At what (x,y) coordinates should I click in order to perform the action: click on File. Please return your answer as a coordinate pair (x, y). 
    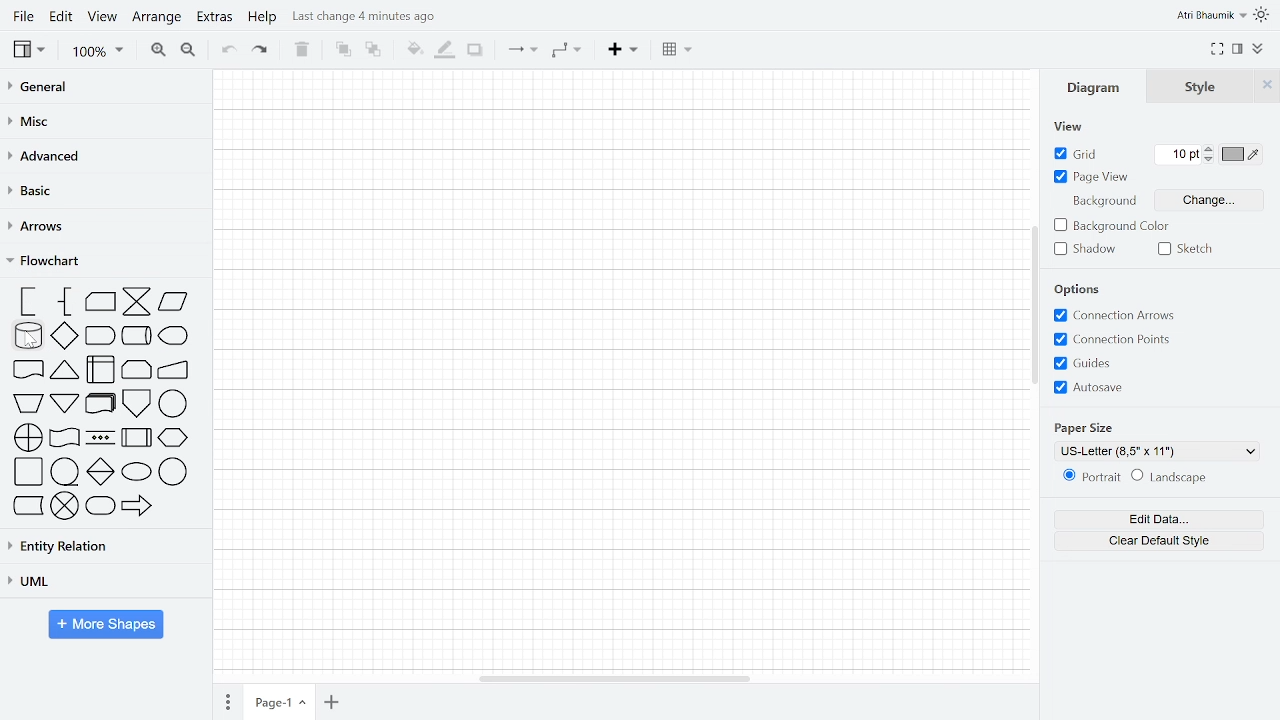
    Looking at the image, I should click on (21, 16).